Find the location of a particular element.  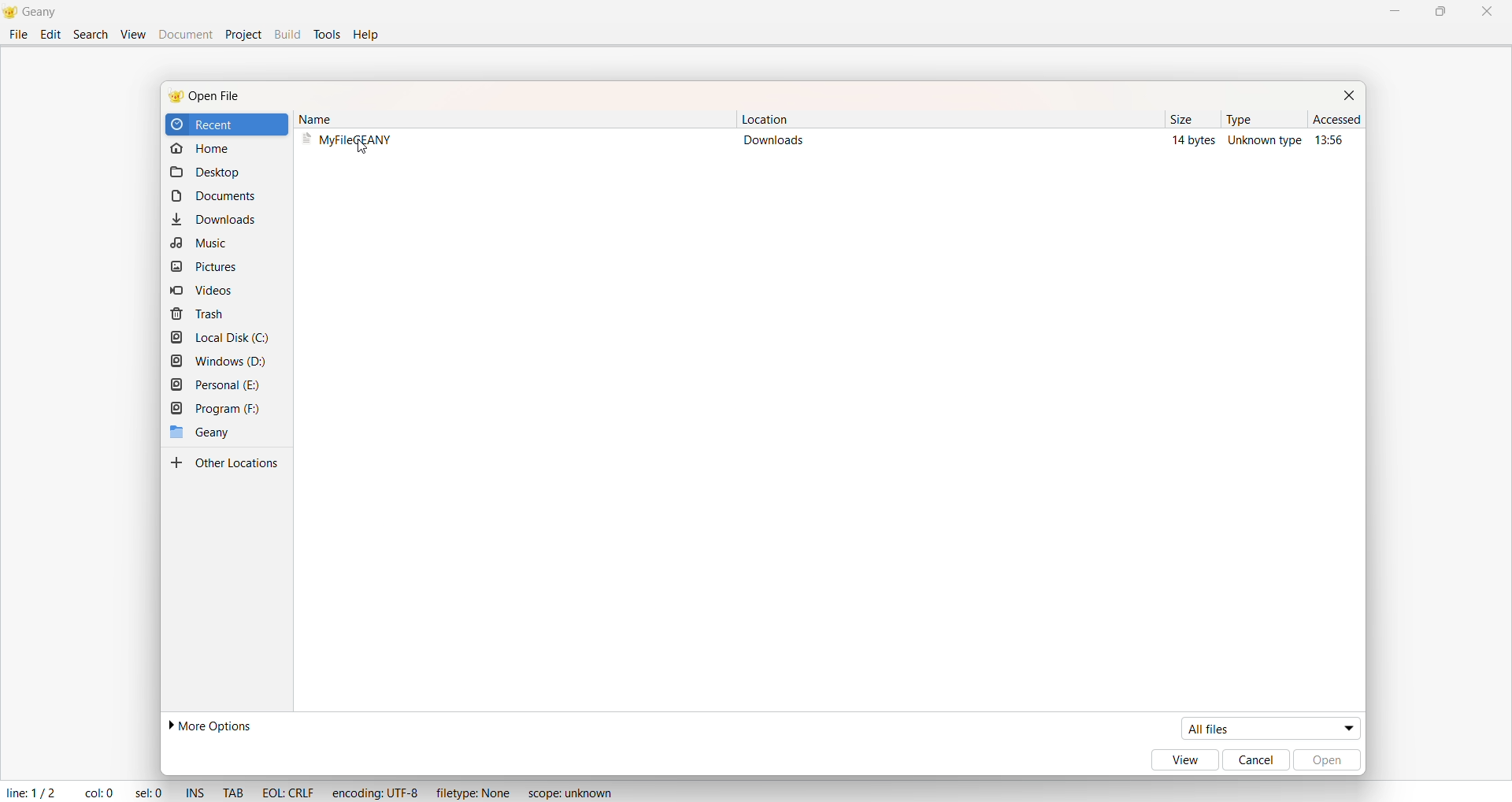

Close is located at coordinates (1487, 12).